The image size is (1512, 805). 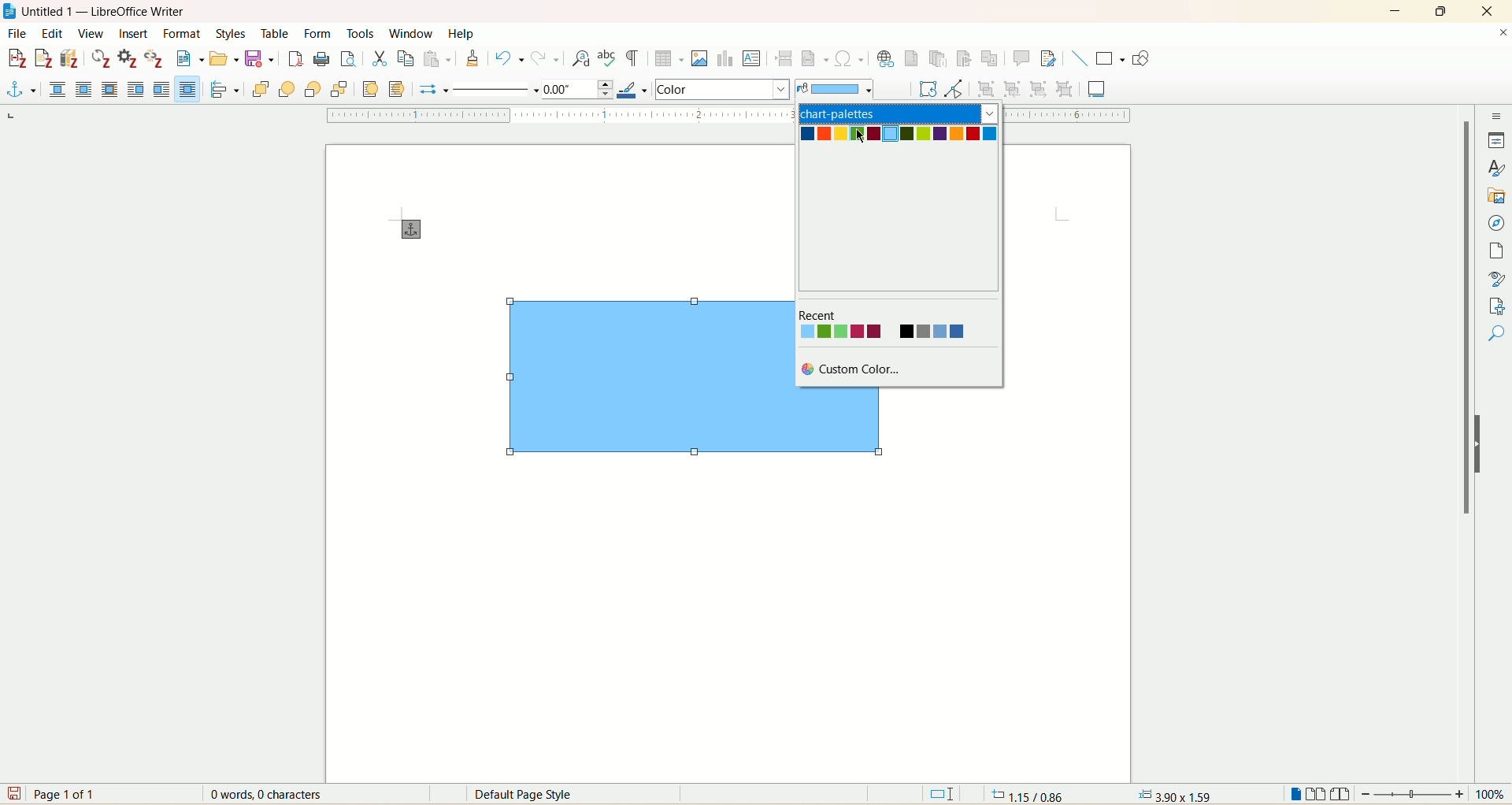 I want to click on table, so click(x=276, y=32).